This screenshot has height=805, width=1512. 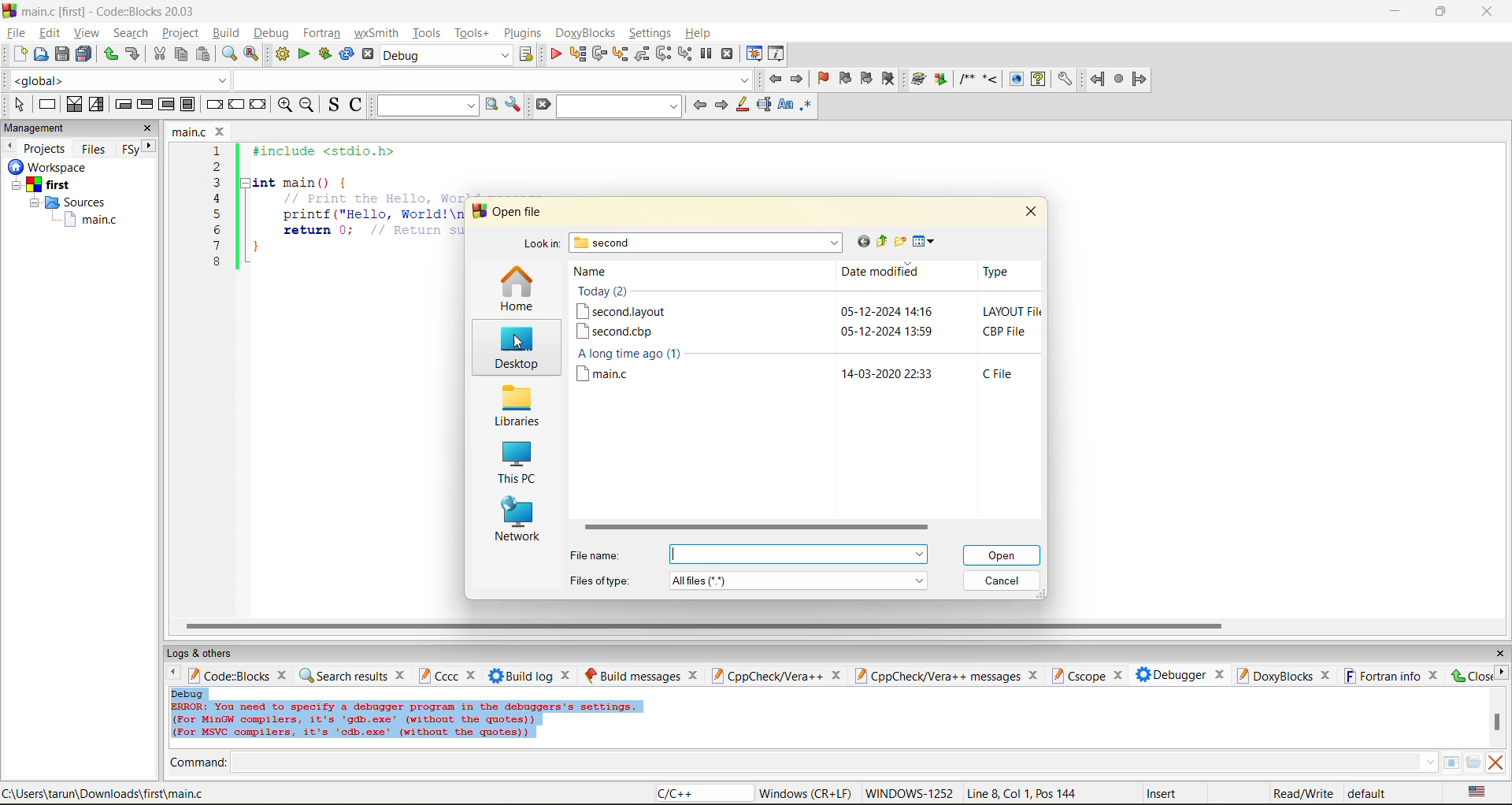 I want to click on step into, so click(x=990, y=78).